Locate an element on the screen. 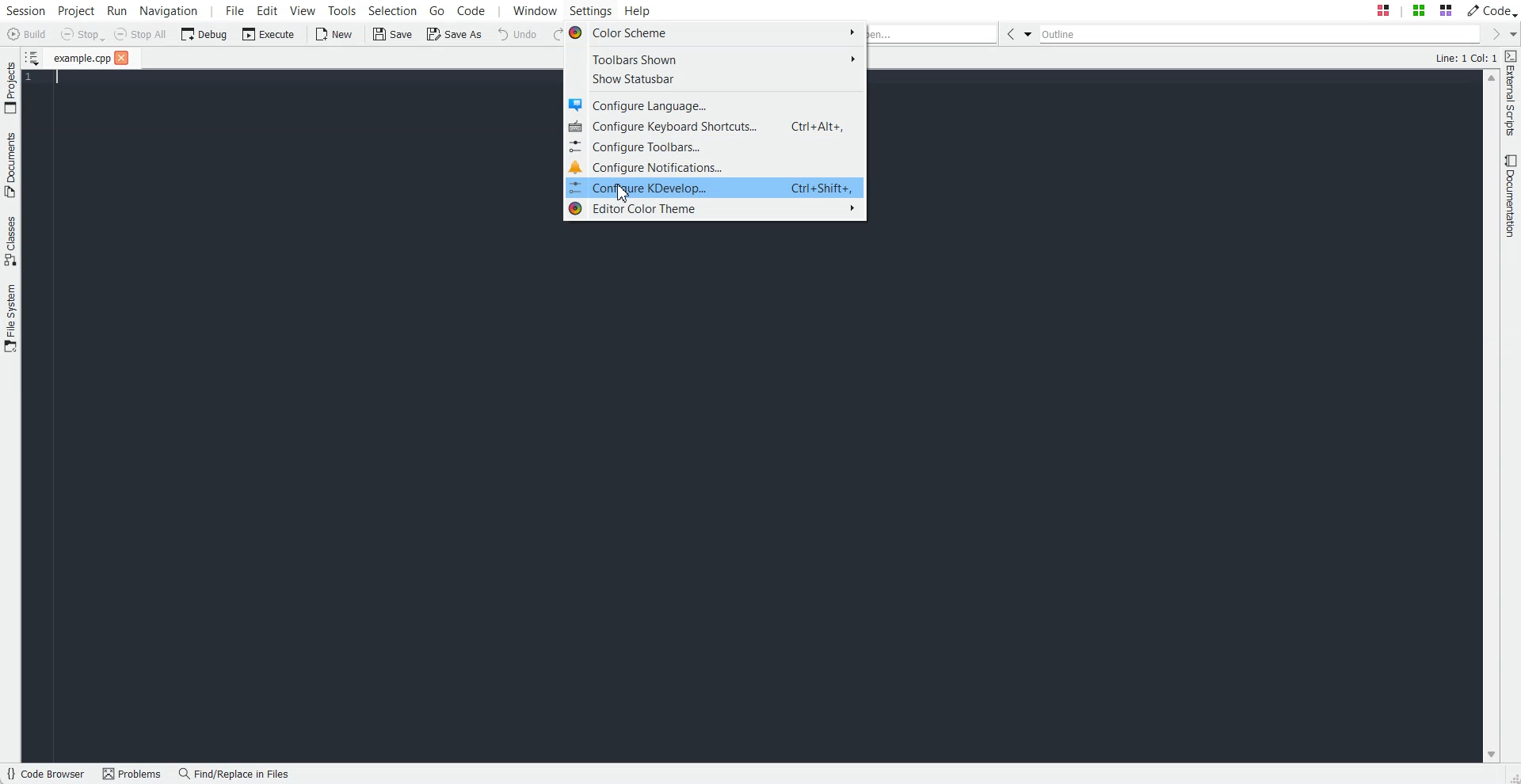  Scroll up is located at coordinates (1491, 78).